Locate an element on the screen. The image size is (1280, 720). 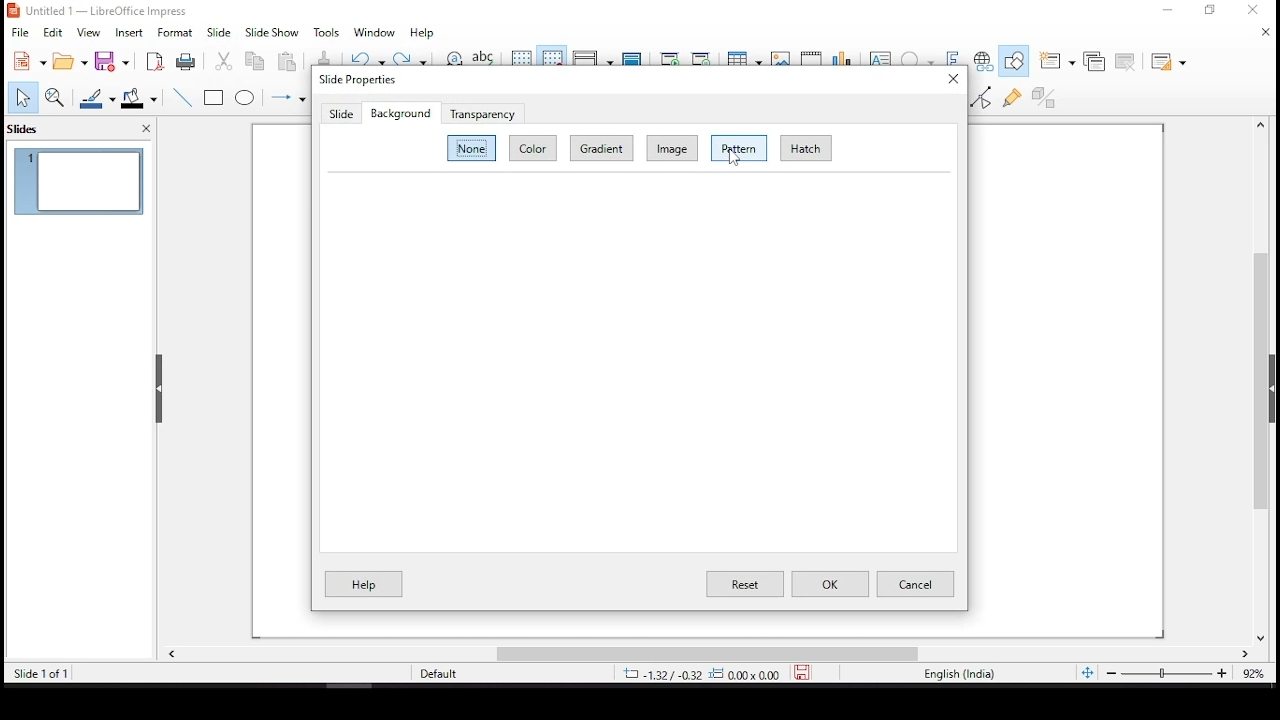
show draw functions is located at coordinates (1015, 59).